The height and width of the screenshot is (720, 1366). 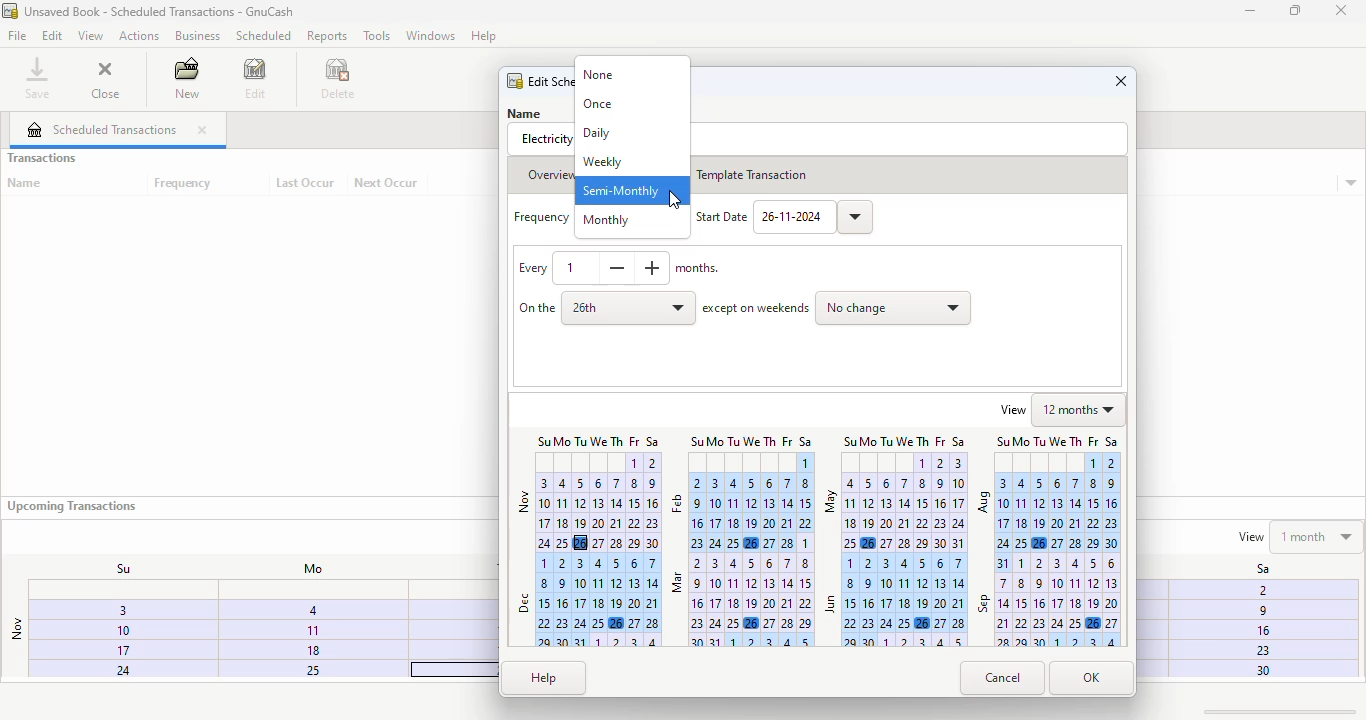 What do you see at coordinates (105, 77) in the screenshot?
I see `close` at bounding box center [105, 77].